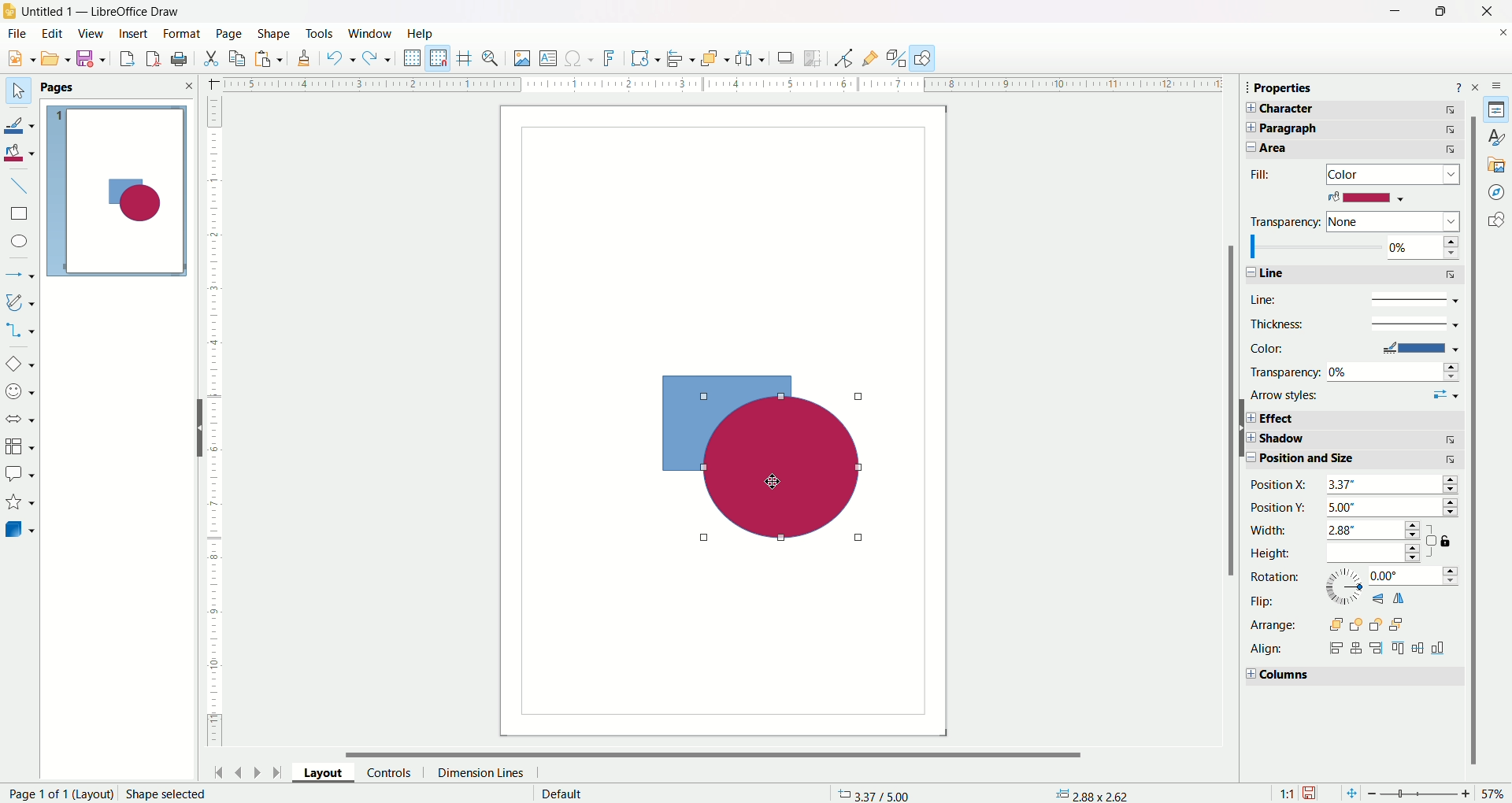  Describe the element at coordinates (1438, 794) in the screenshot. I see `zoom factor` at that location.